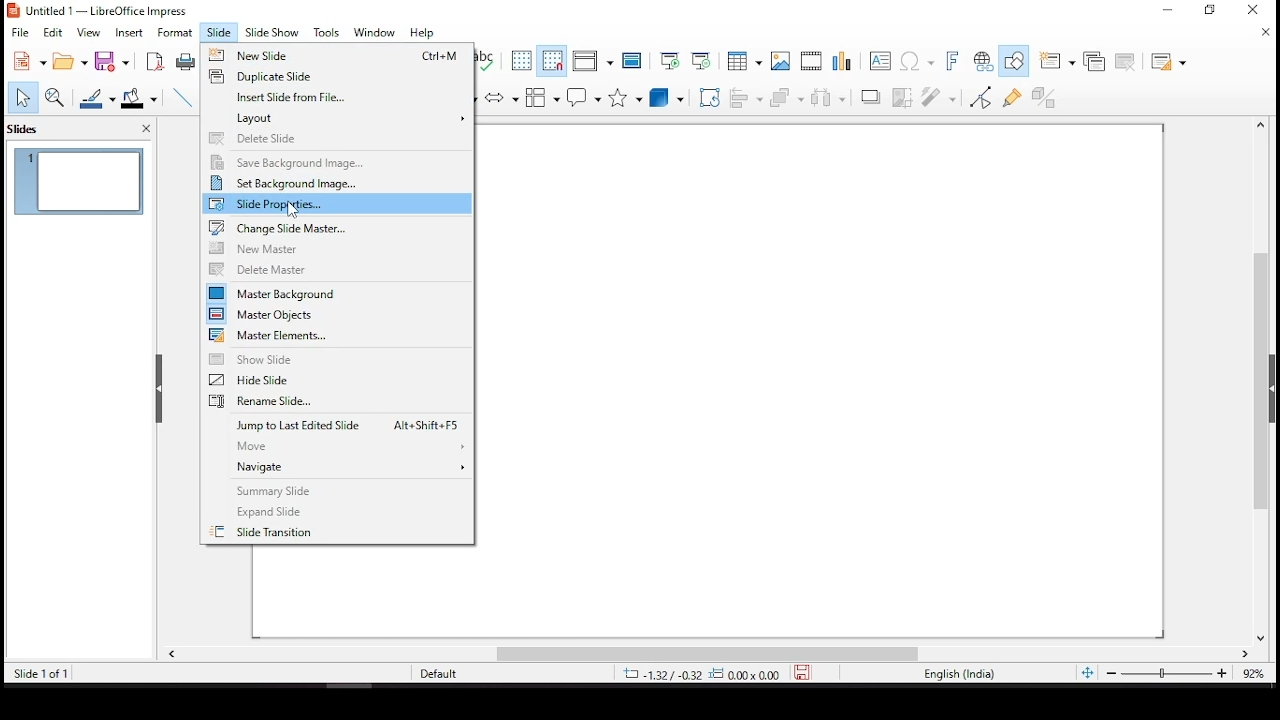 The image size is (1280, 720). Describe the element at coordinates (1210, 11) in the screenshot. I see `restore` at that location.